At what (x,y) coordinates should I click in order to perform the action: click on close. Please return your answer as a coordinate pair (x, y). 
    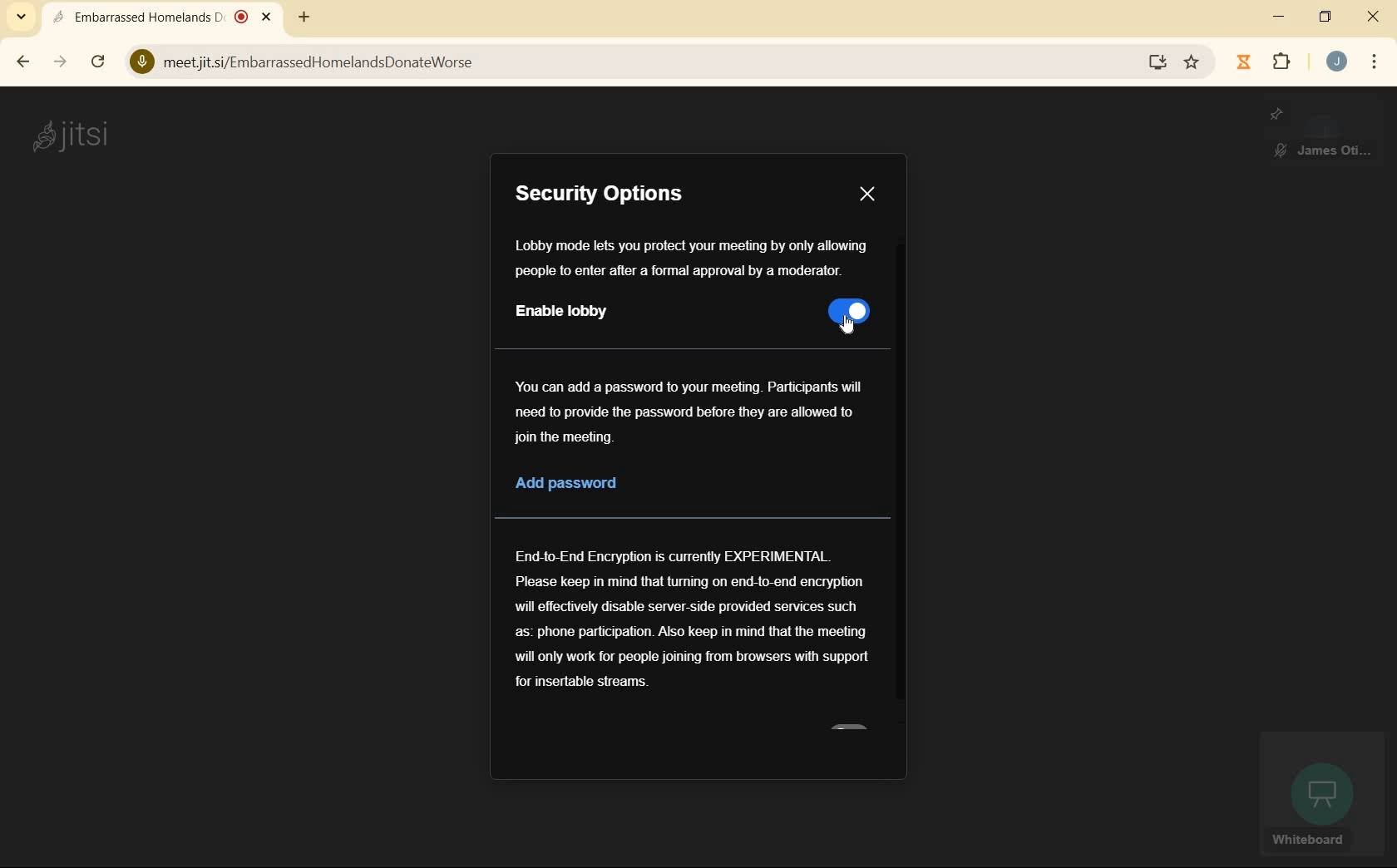
    Looking at the image, I should click on (1373, 18).